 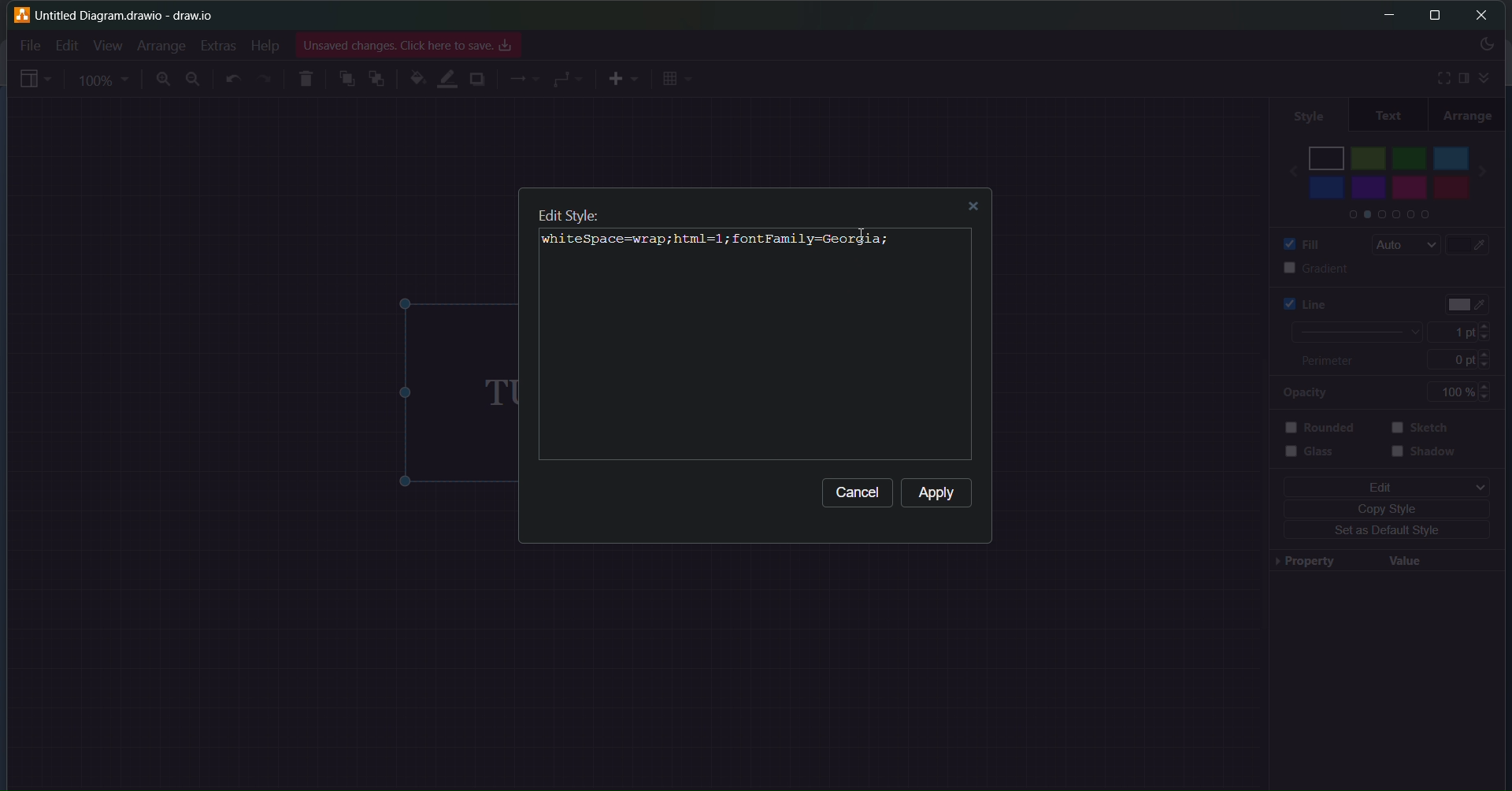 I want to click on gradient, so click(x=1301, y=268).